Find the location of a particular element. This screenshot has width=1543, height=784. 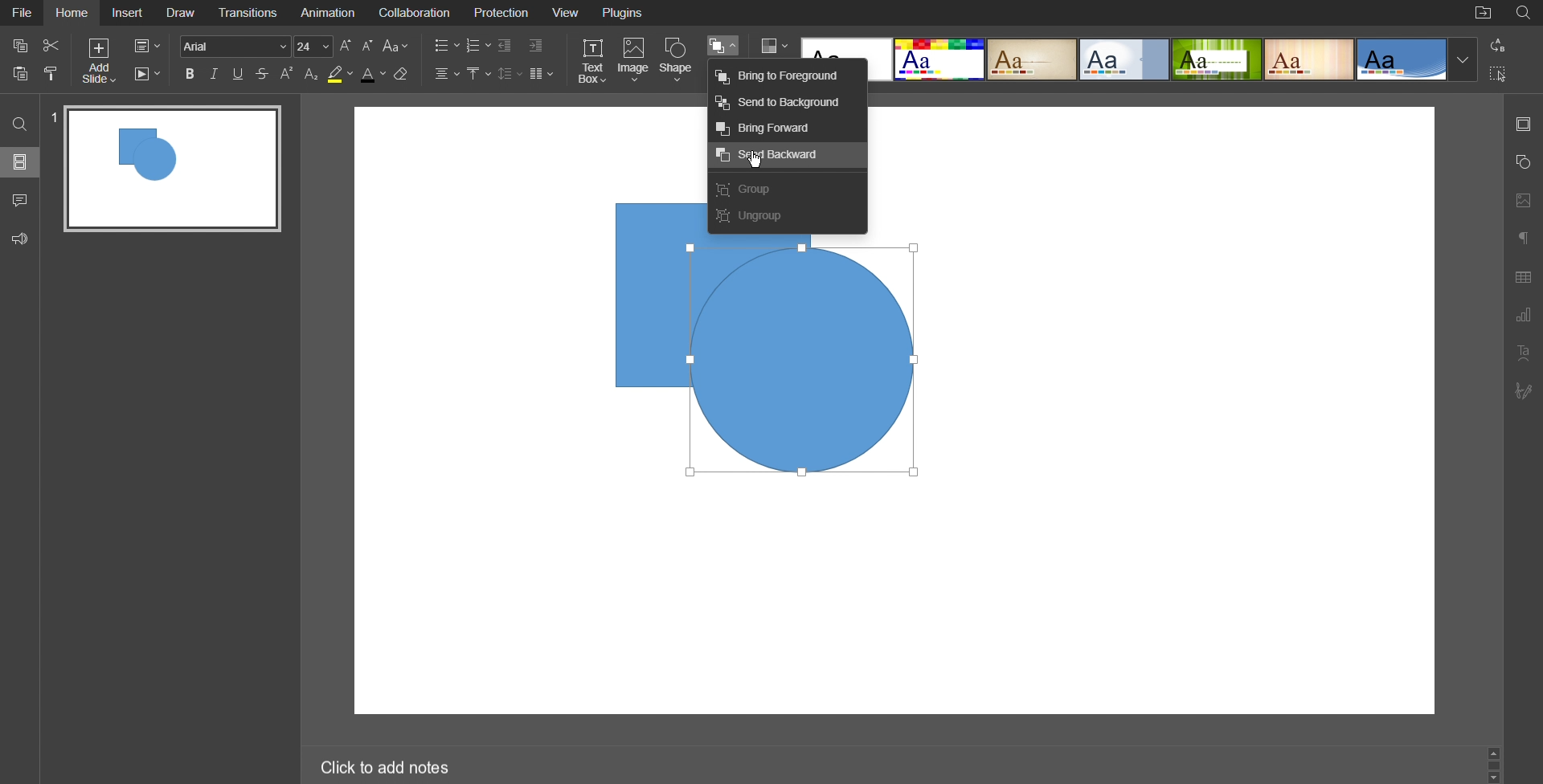

Slides Settings is located at coordinates (1525, 125).